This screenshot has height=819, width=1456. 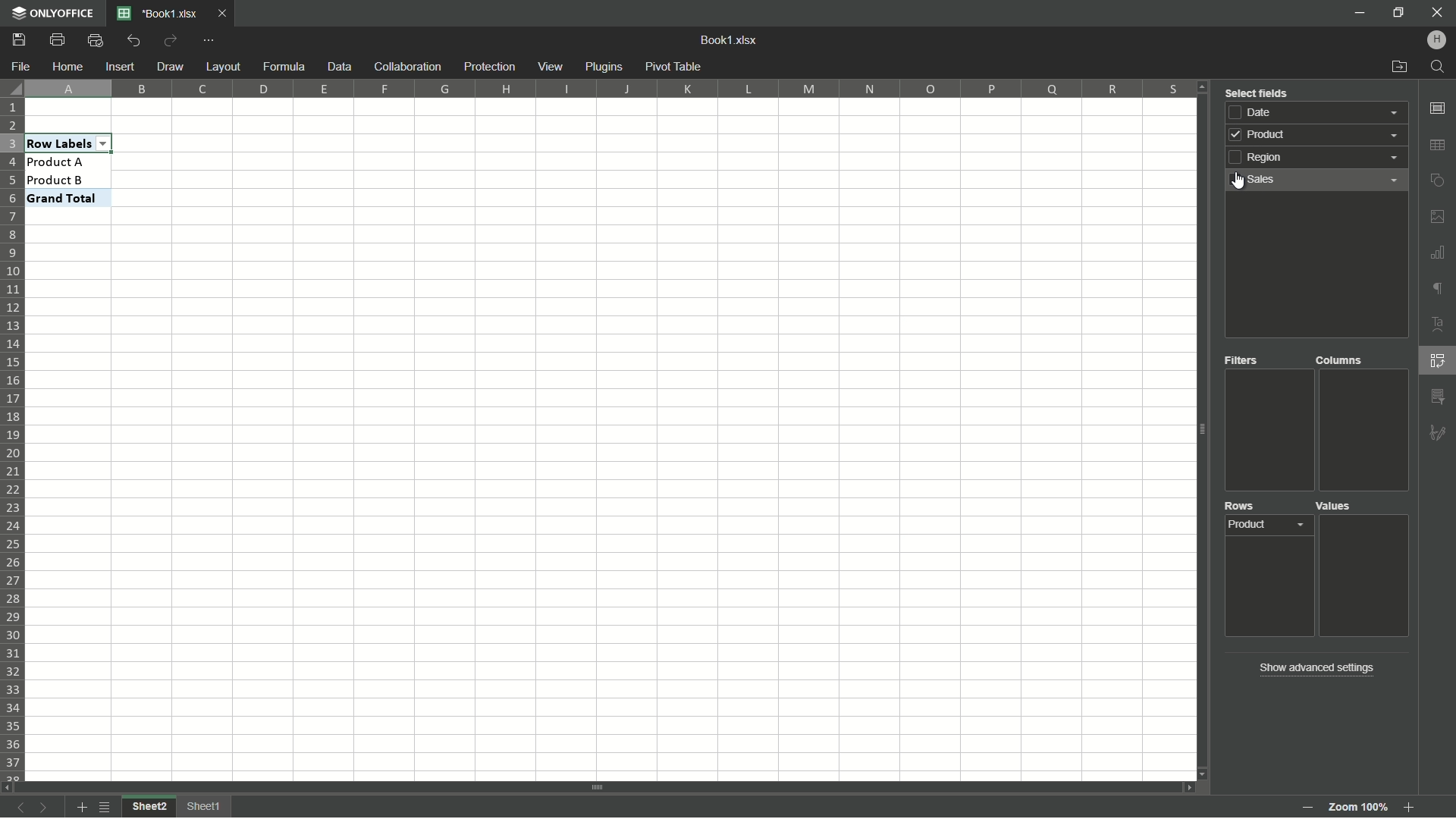 I want to click on Collaboration, so click(x=406, y=67).